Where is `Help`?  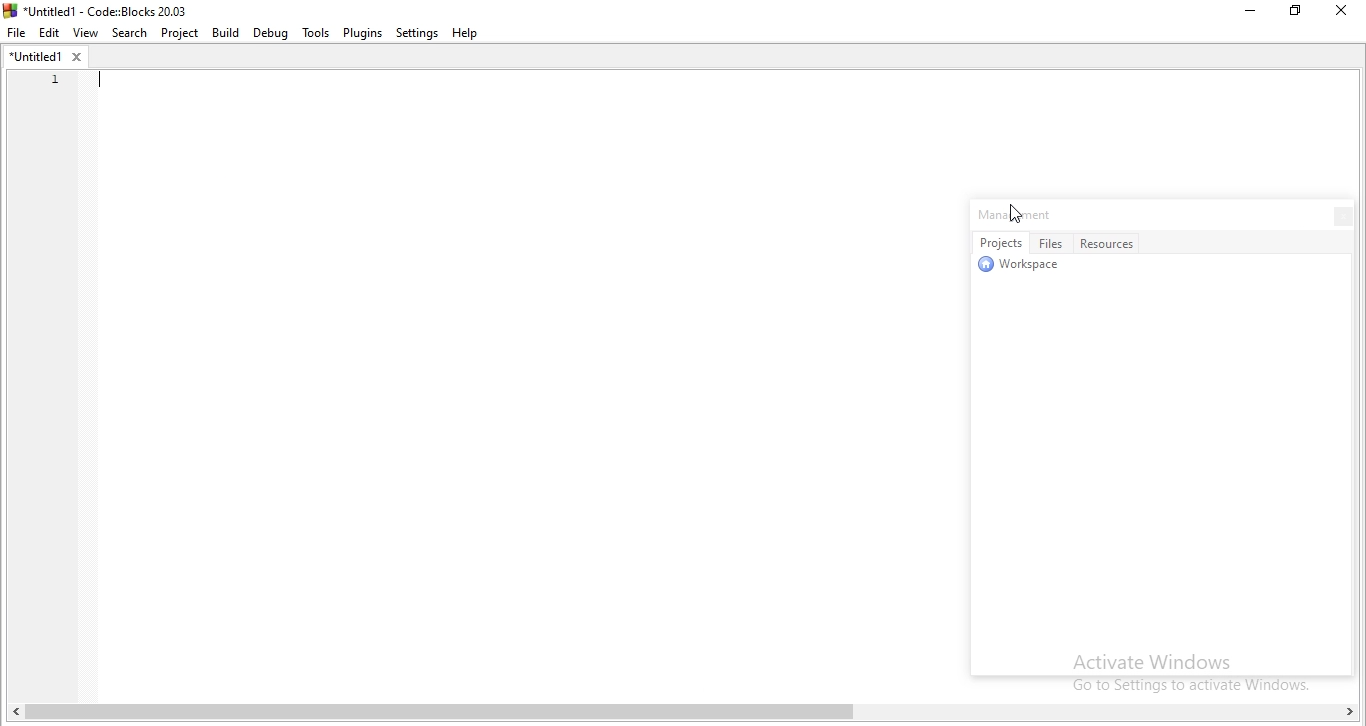 Help is located at coordinates (472, 32).